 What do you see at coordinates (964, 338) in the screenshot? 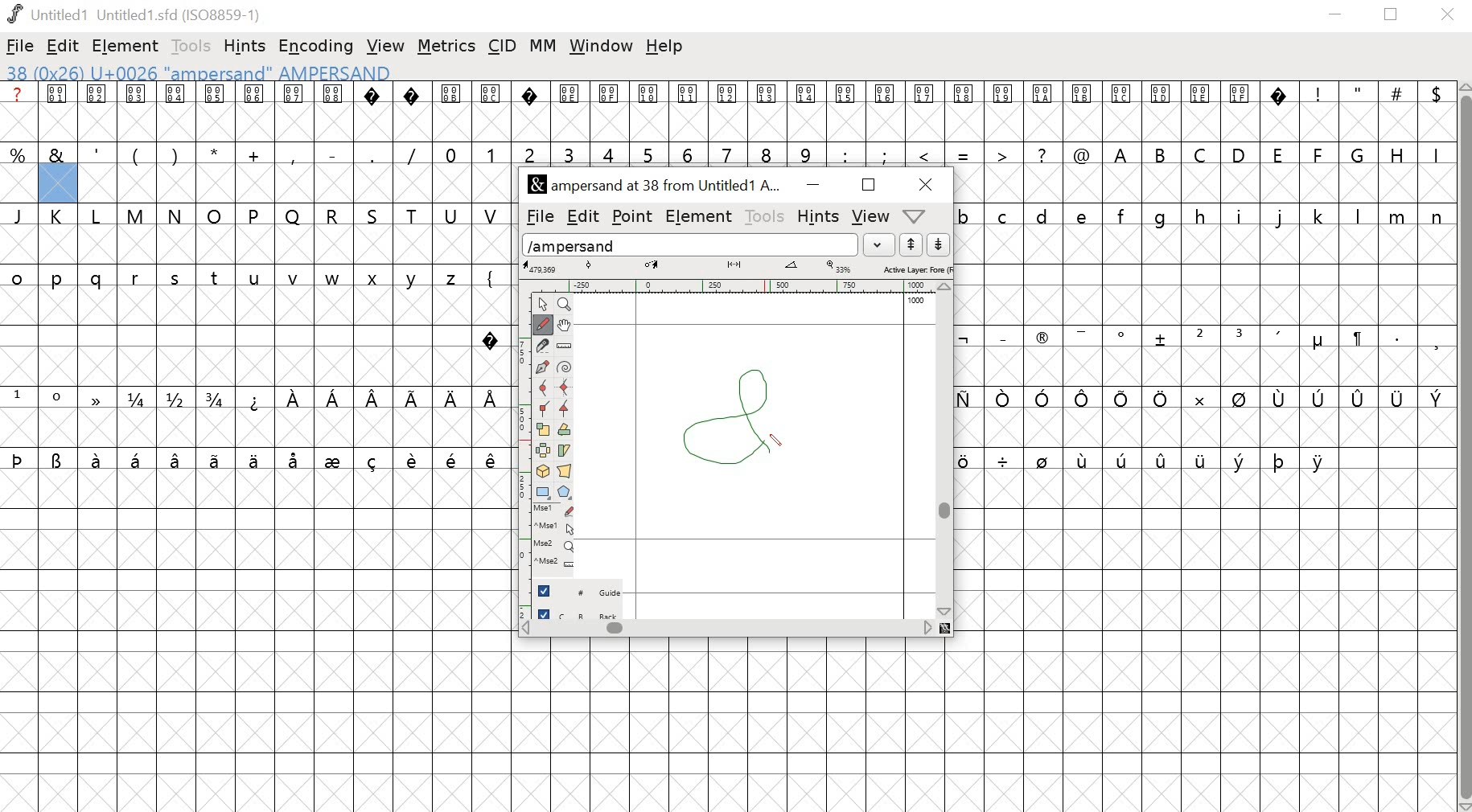
I see `symbol` at bounding box center [964, 338].